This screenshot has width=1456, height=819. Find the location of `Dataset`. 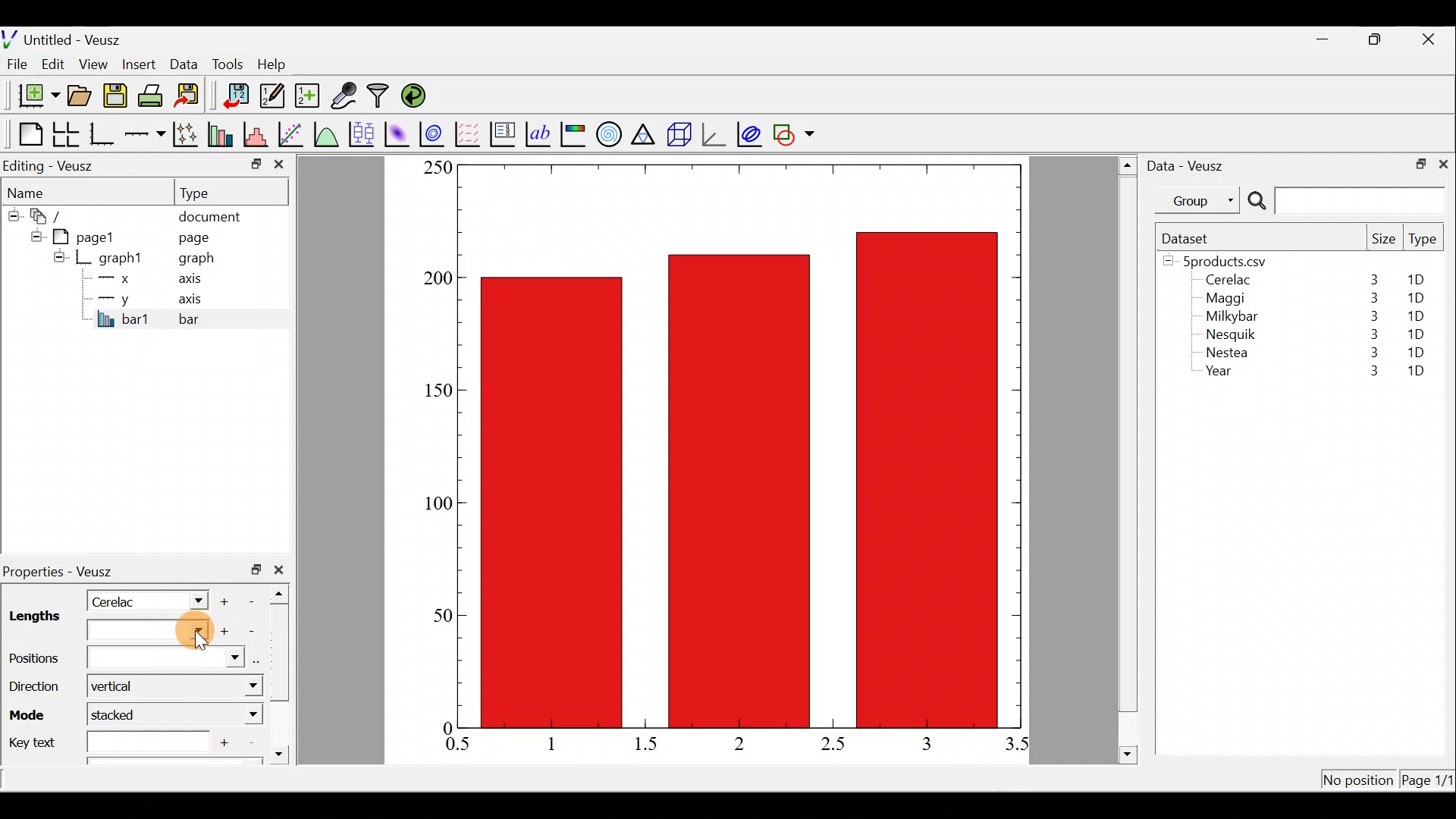

Dataset is located at coordinates (1191, 238).